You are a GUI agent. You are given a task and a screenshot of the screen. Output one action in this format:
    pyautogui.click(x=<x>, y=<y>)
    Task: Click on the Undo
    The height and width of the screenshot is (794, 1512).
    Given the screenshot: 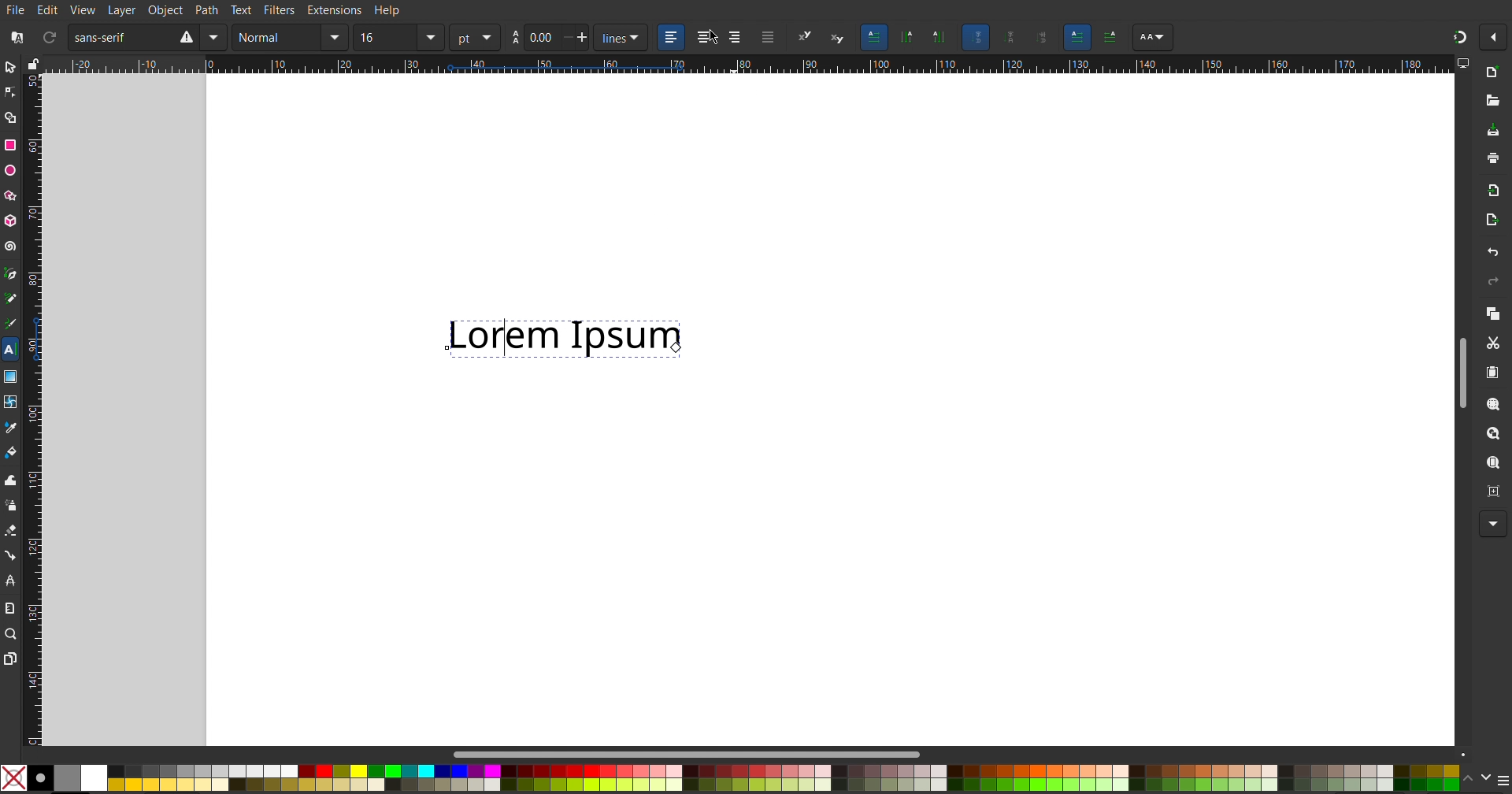 What is the action you would take?
    pyautogui.click(x=1495, y=251)
    